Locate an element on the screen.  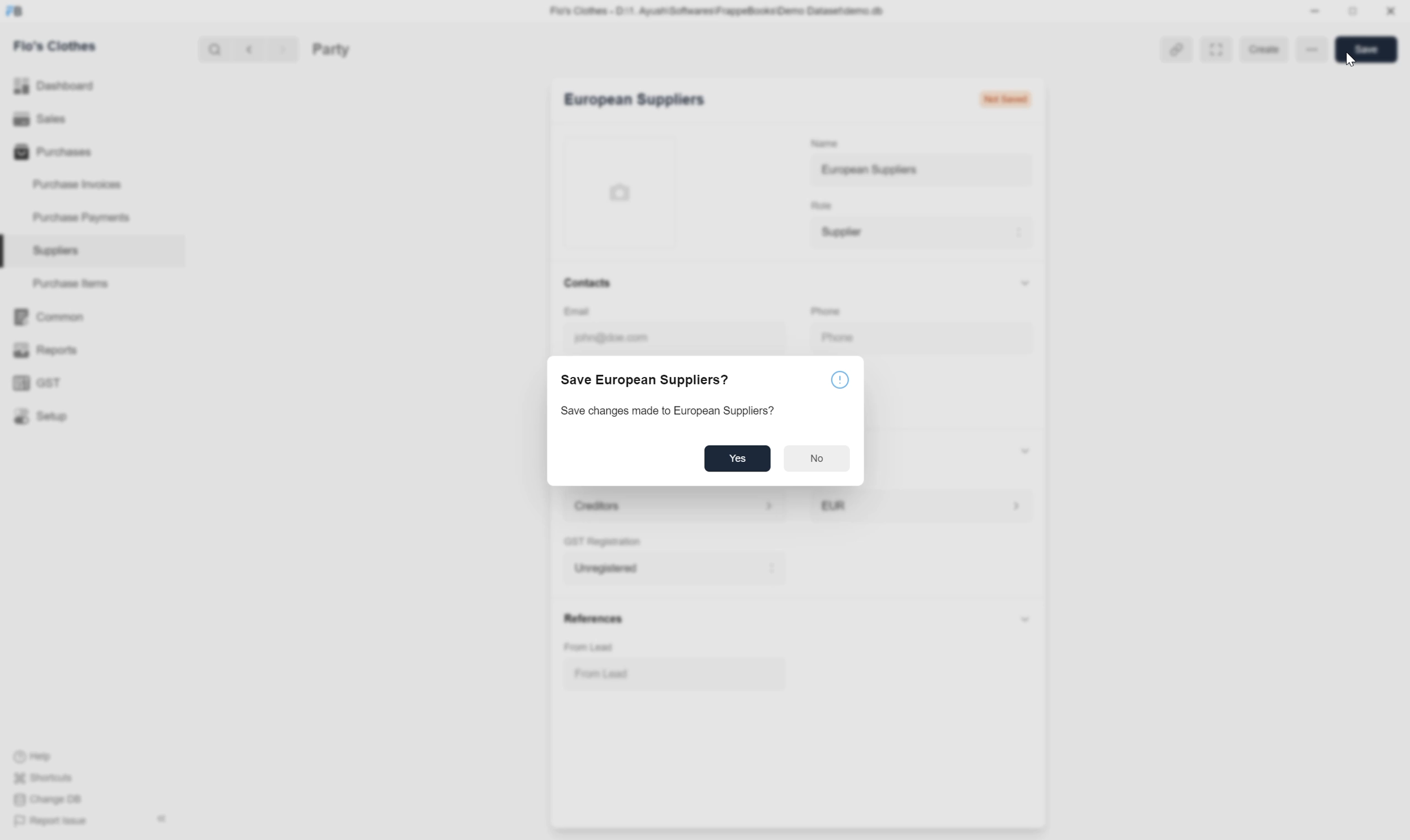
GST Registration is located at coordinates (609, 541).